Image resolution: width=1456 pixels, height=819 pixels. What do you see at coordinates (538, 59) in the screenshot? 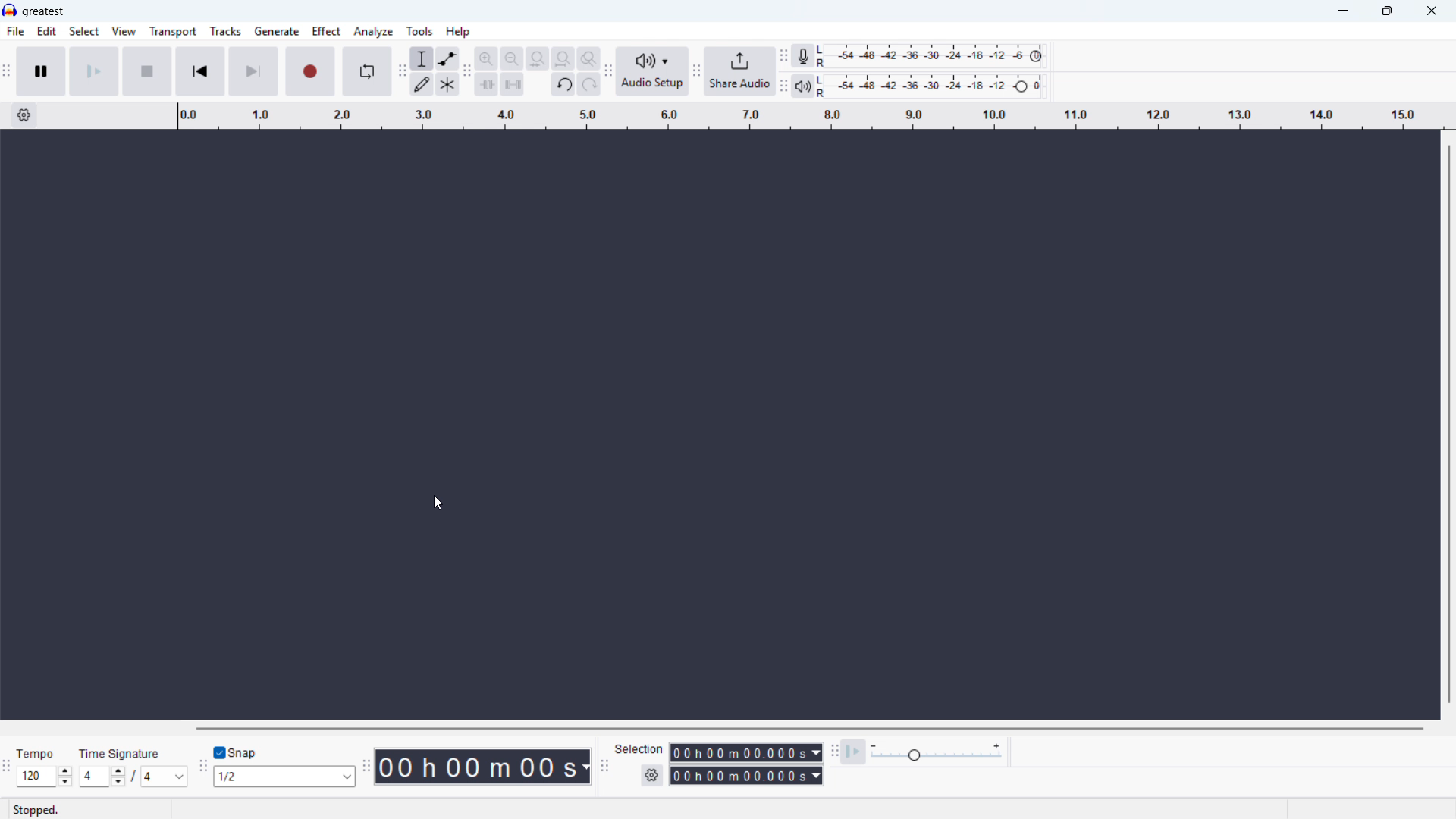
I see `Fit selection to width ` at bounding box center [538, 59].